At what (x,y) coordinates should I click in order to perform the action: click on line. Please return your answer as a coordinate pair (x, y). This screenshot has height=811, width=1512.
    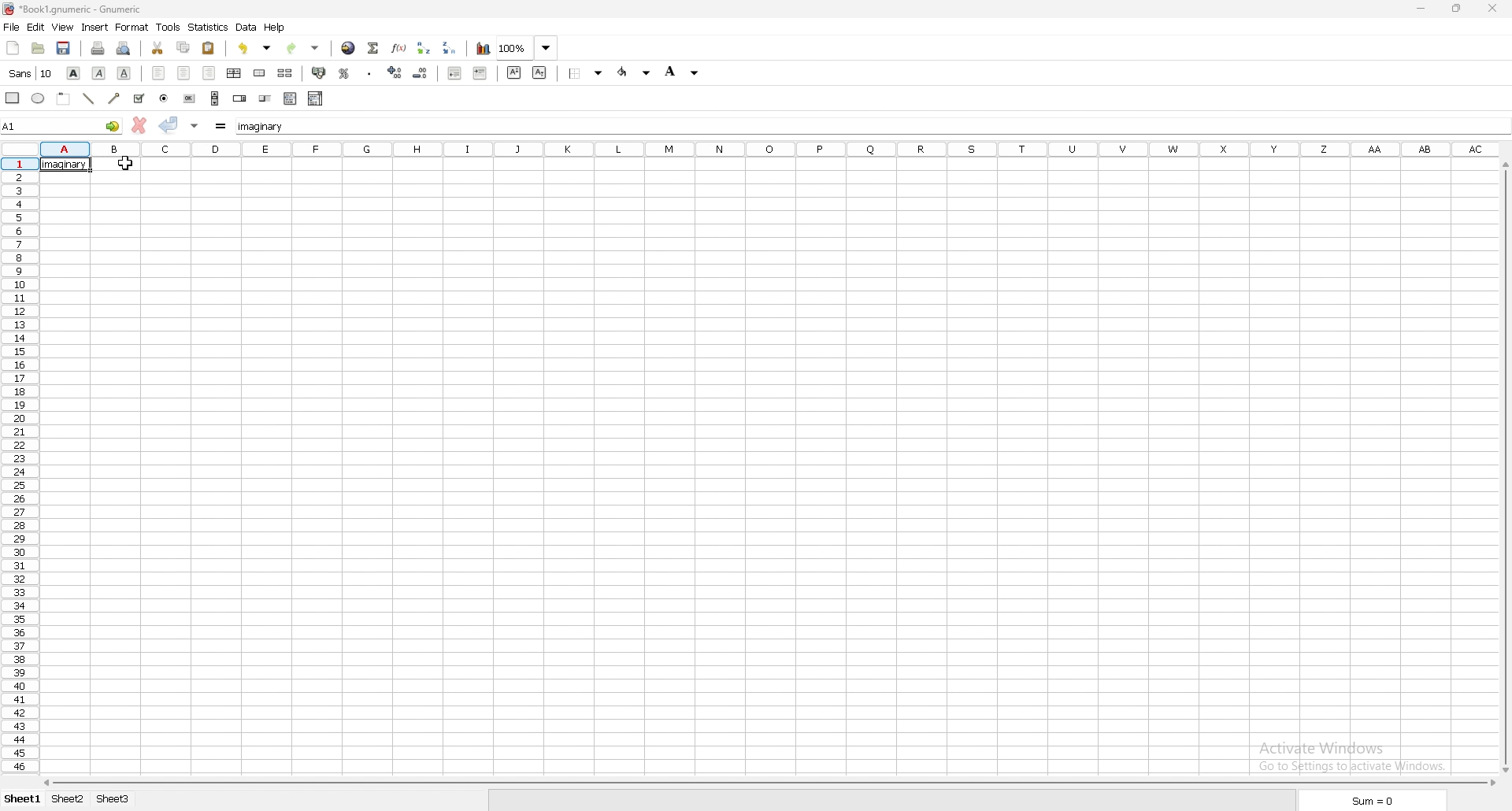
    Looking at the image, I should click on (88, 98).